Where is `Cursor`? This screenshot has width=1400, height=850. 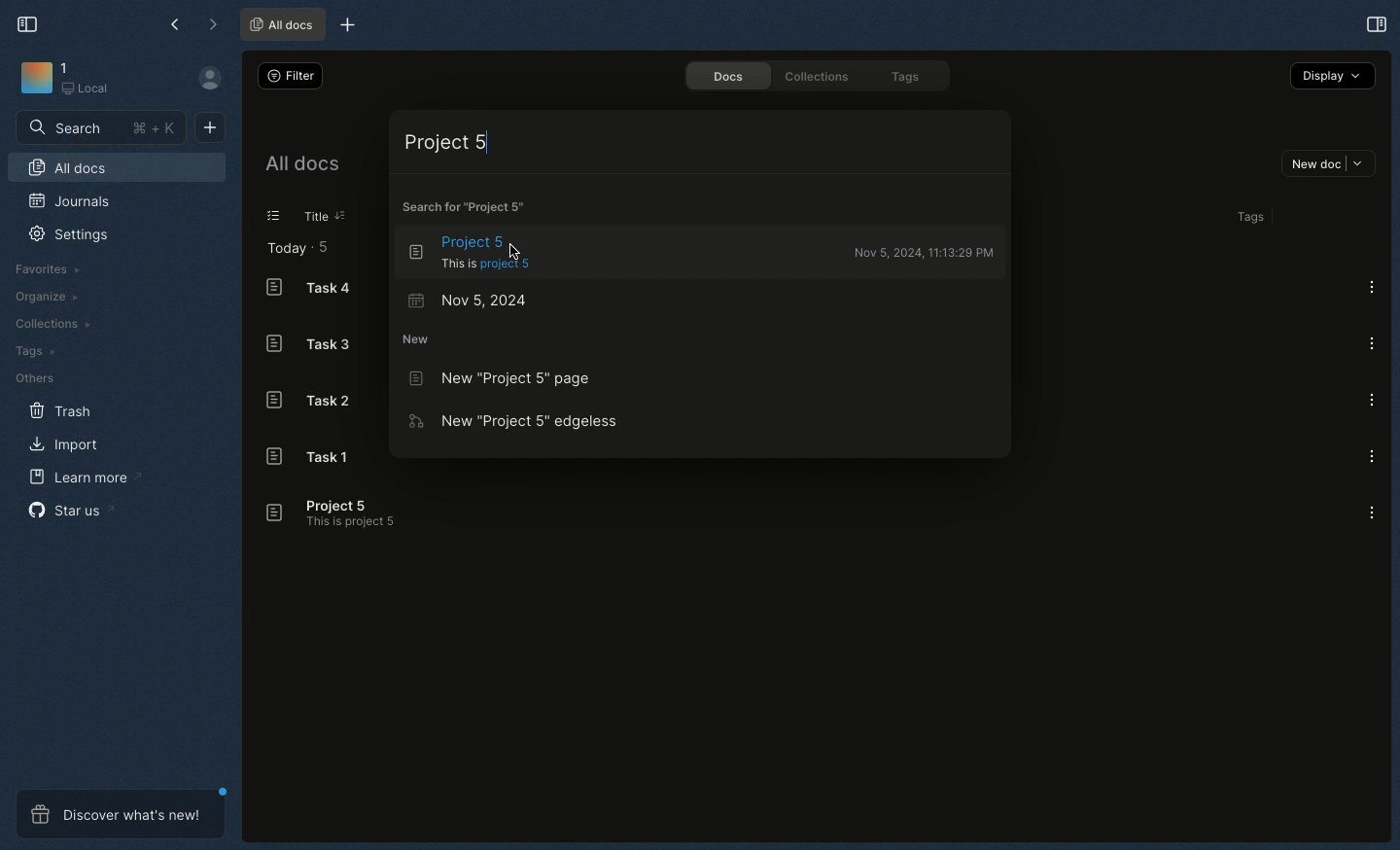 Cursor is located at coordinates (515, 253).